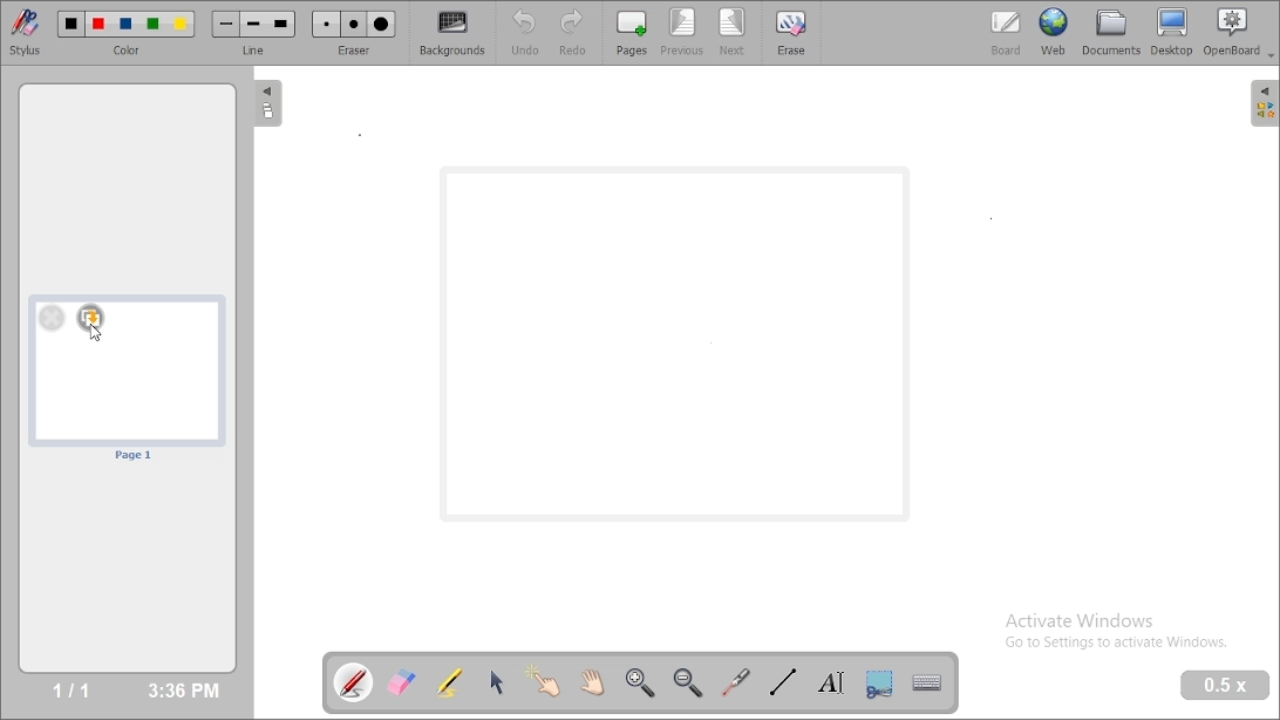 The width and height of the screenshot is (1280, 720). Describe the element at coordinates (71, 690) in the screenshot. I see `1/1` at that location.